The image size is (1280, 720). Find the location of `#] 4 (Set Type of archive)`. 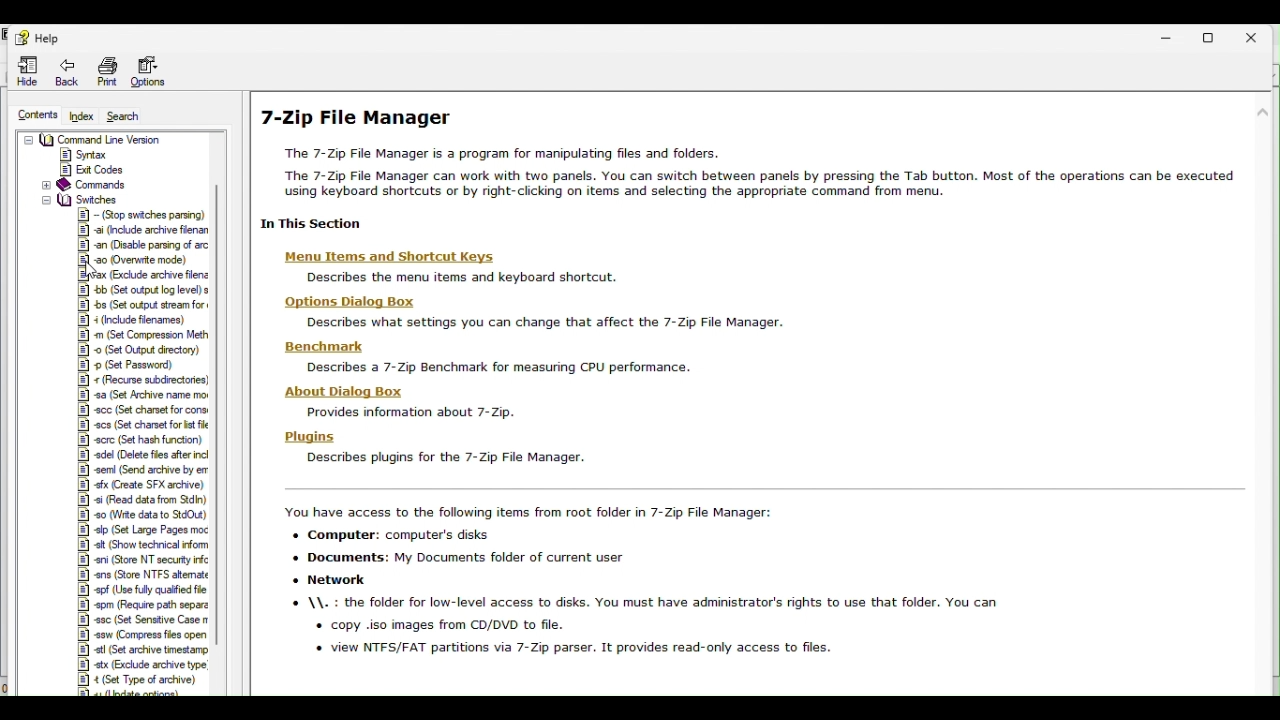

#] 4 (Set Type of archive) is located at coordinates (138, 680).